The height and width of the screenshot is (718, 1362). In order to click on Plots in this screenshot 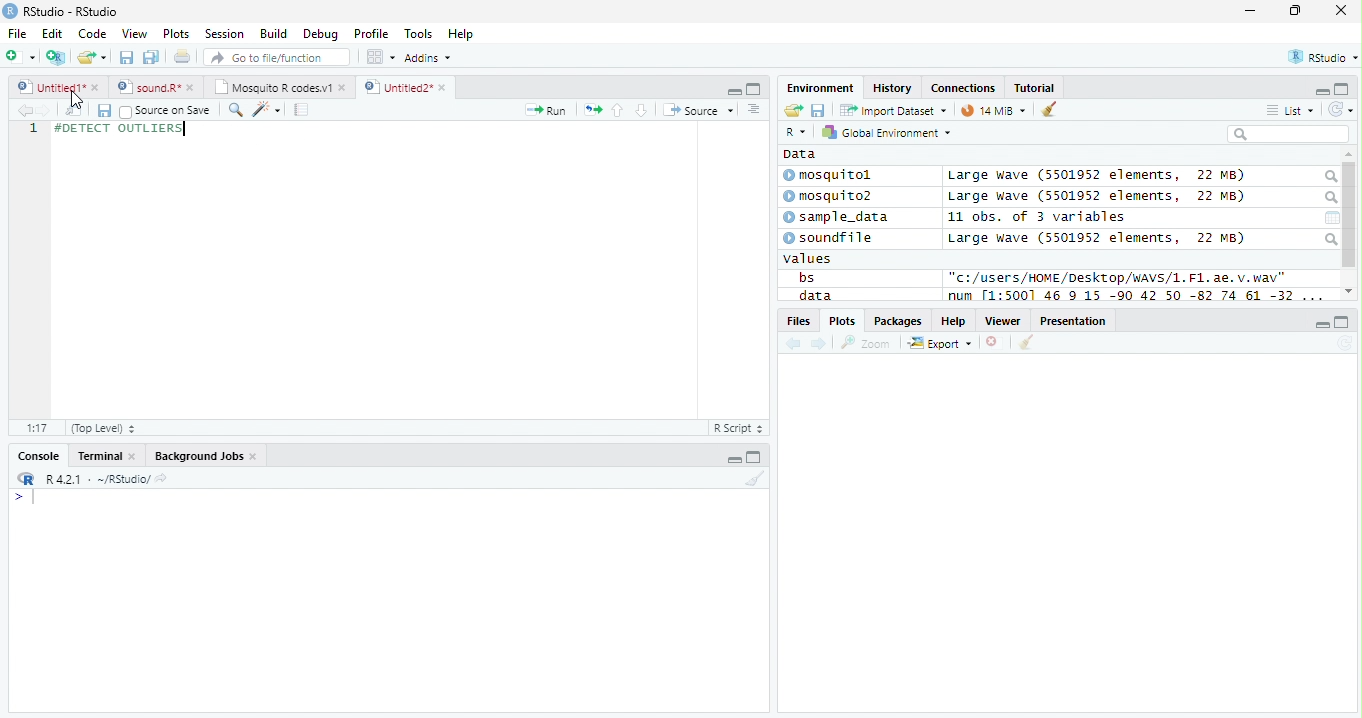, I will do `click(841, 321)`.